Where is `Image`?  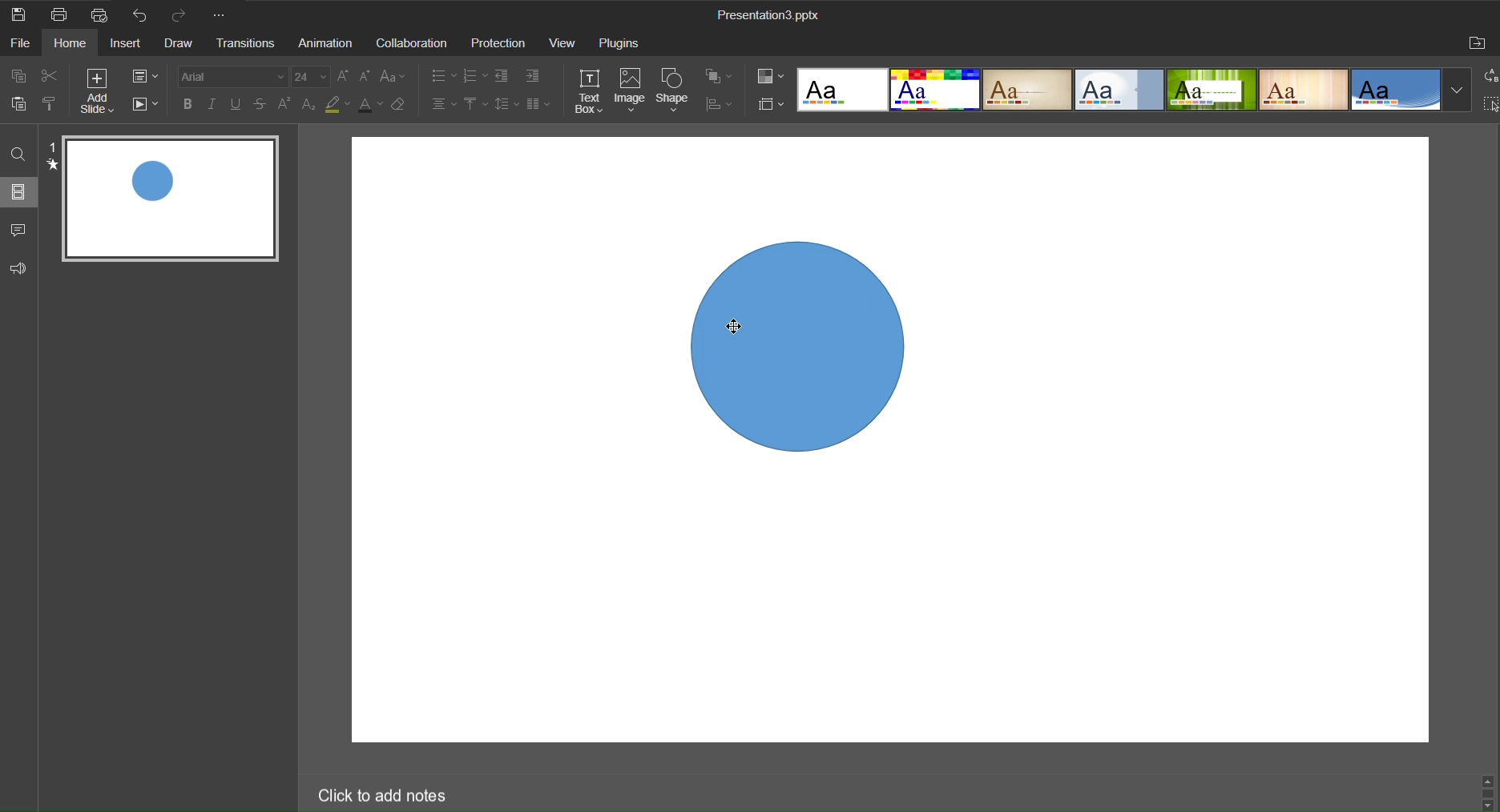
Image is located at coordinates (634, 90).